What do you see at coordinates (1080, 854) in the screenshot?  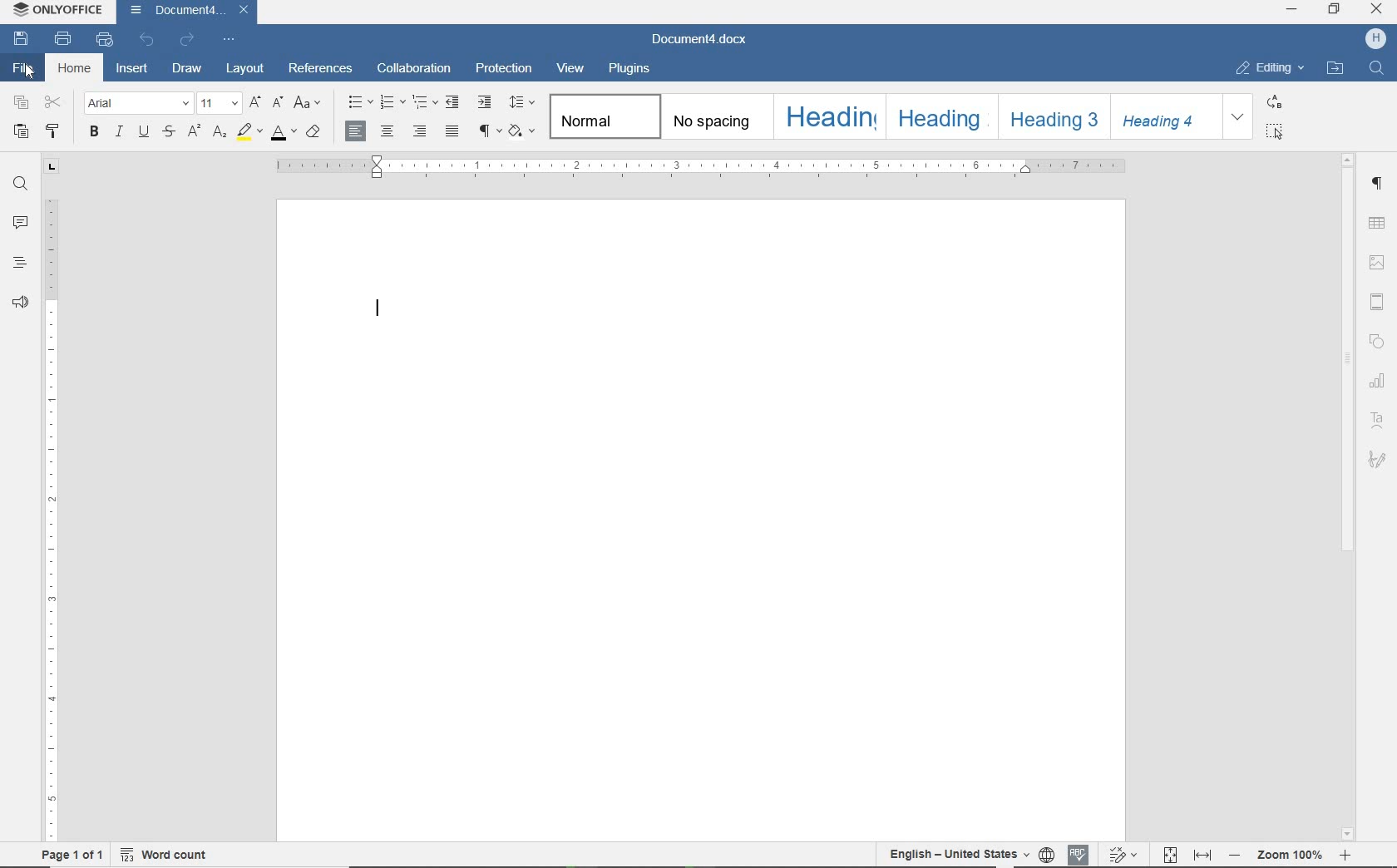 I see `spell checking` at bounding box center [1080, 854].